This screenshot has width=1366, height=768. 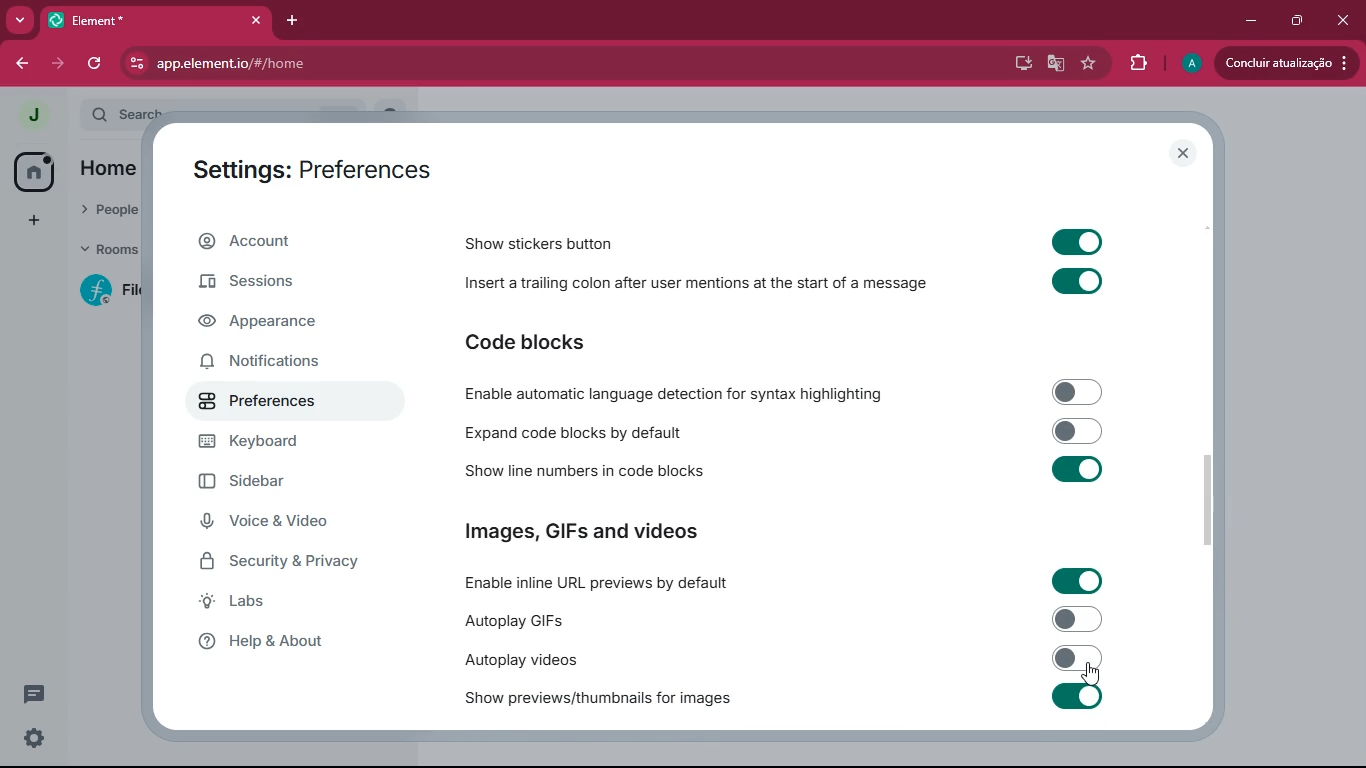 What do you see at coordinates (280, 406) in the screenshot?
I see `preferences` at bounding box center [280, 406].